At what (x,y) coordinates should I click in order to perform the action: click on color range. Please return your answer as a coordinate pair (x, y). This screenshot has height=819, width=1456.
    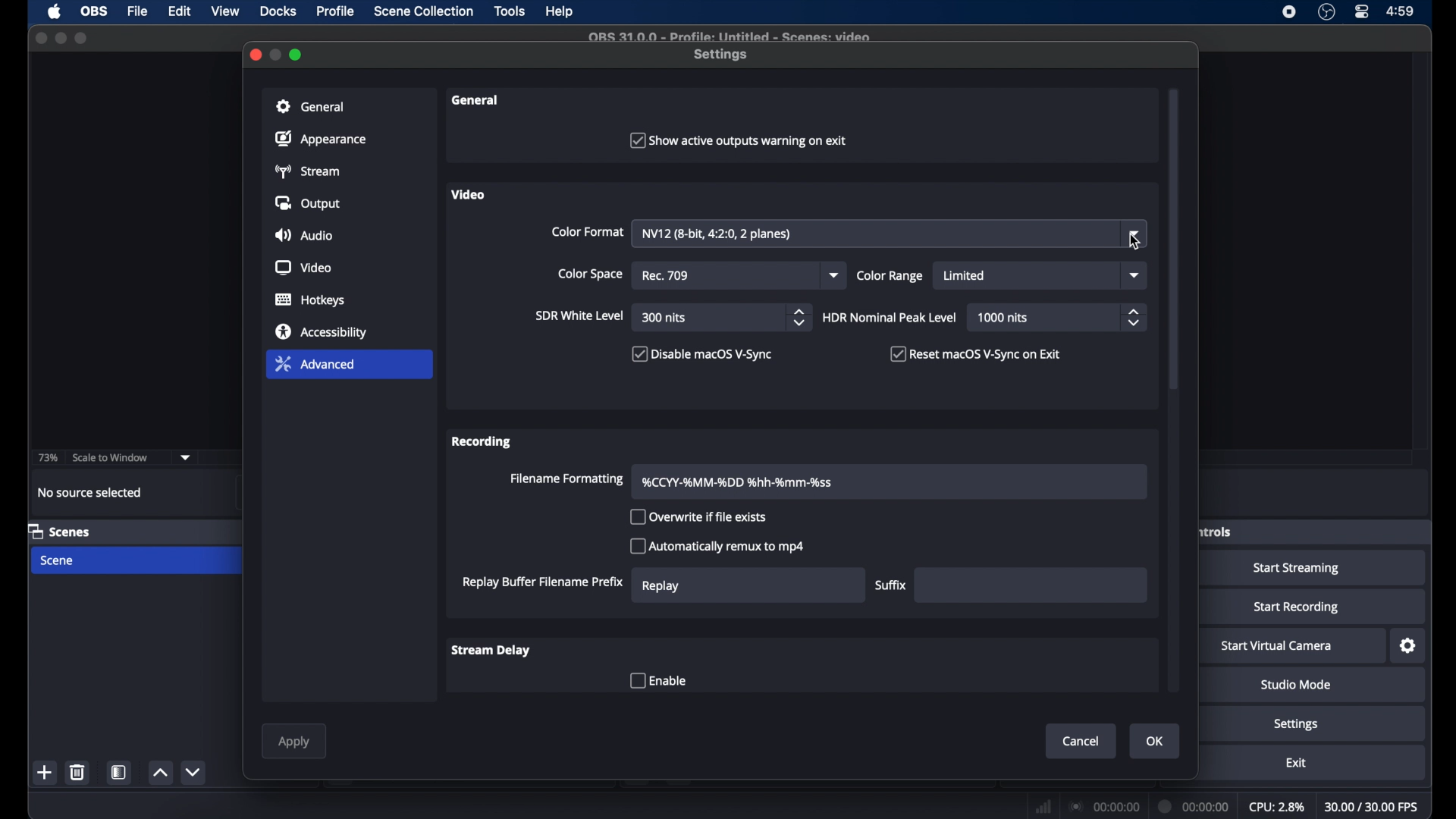
    Looking at the image, I should click on (890, 276).